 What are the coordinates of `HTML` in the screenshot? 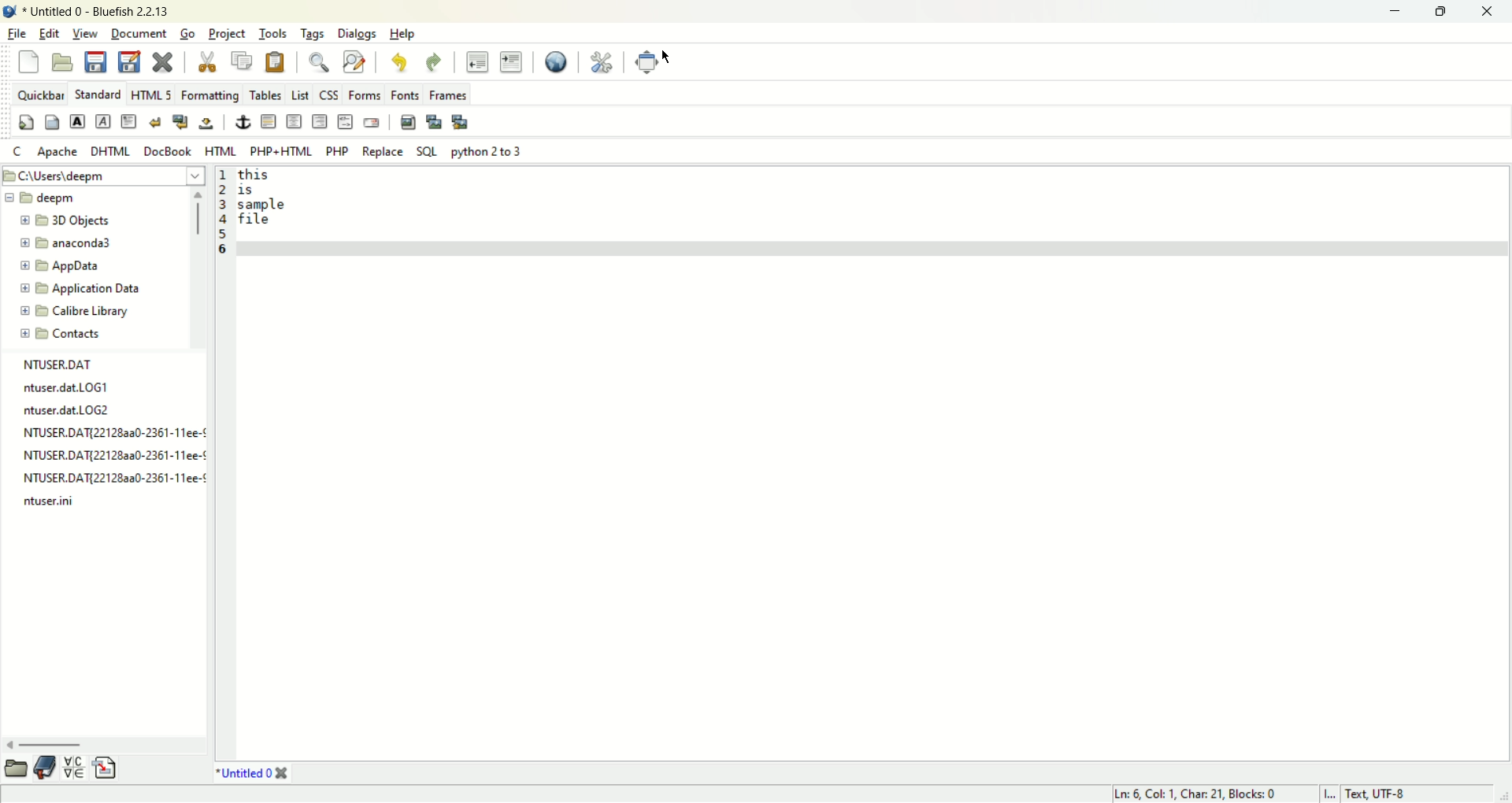 It's located at (220, 151).